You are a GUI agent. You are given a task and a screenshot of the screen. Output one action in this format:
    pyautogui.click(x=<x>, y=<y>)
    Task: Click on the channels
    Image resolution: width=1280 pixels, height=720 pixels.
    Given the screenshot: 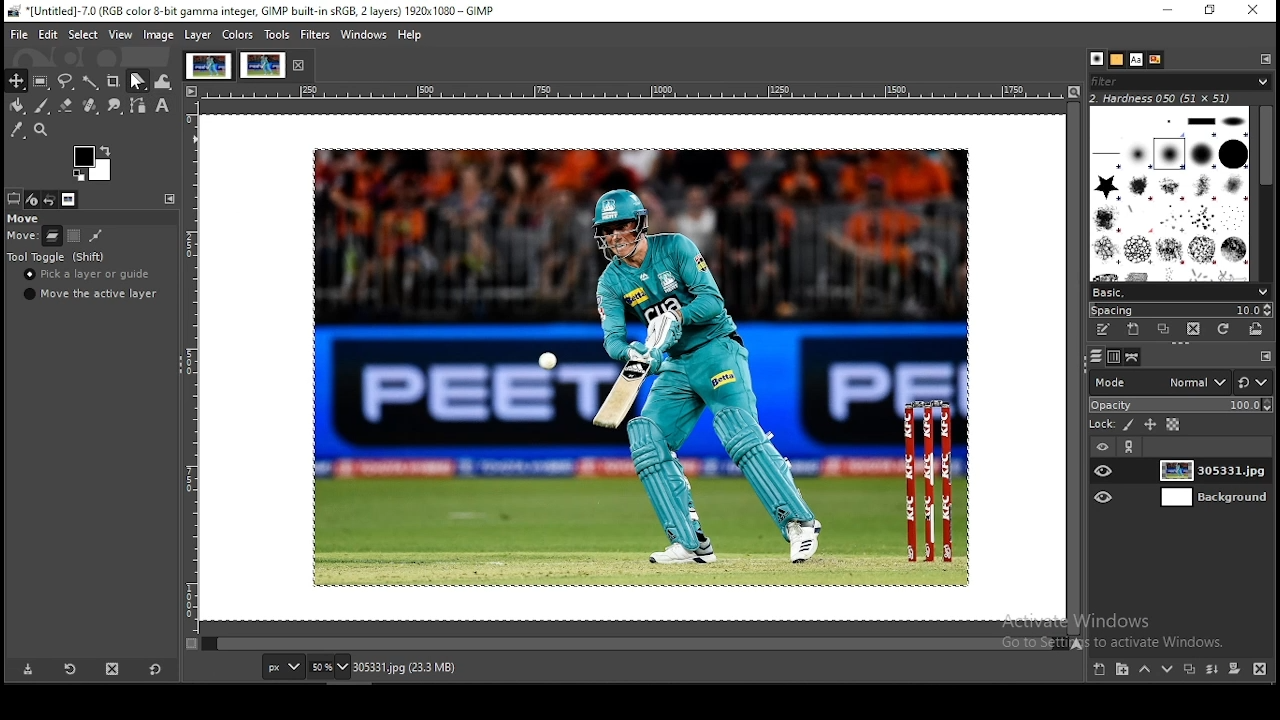 What is the action you would take?
    pyautogui.click(x=1116, y=357)
    